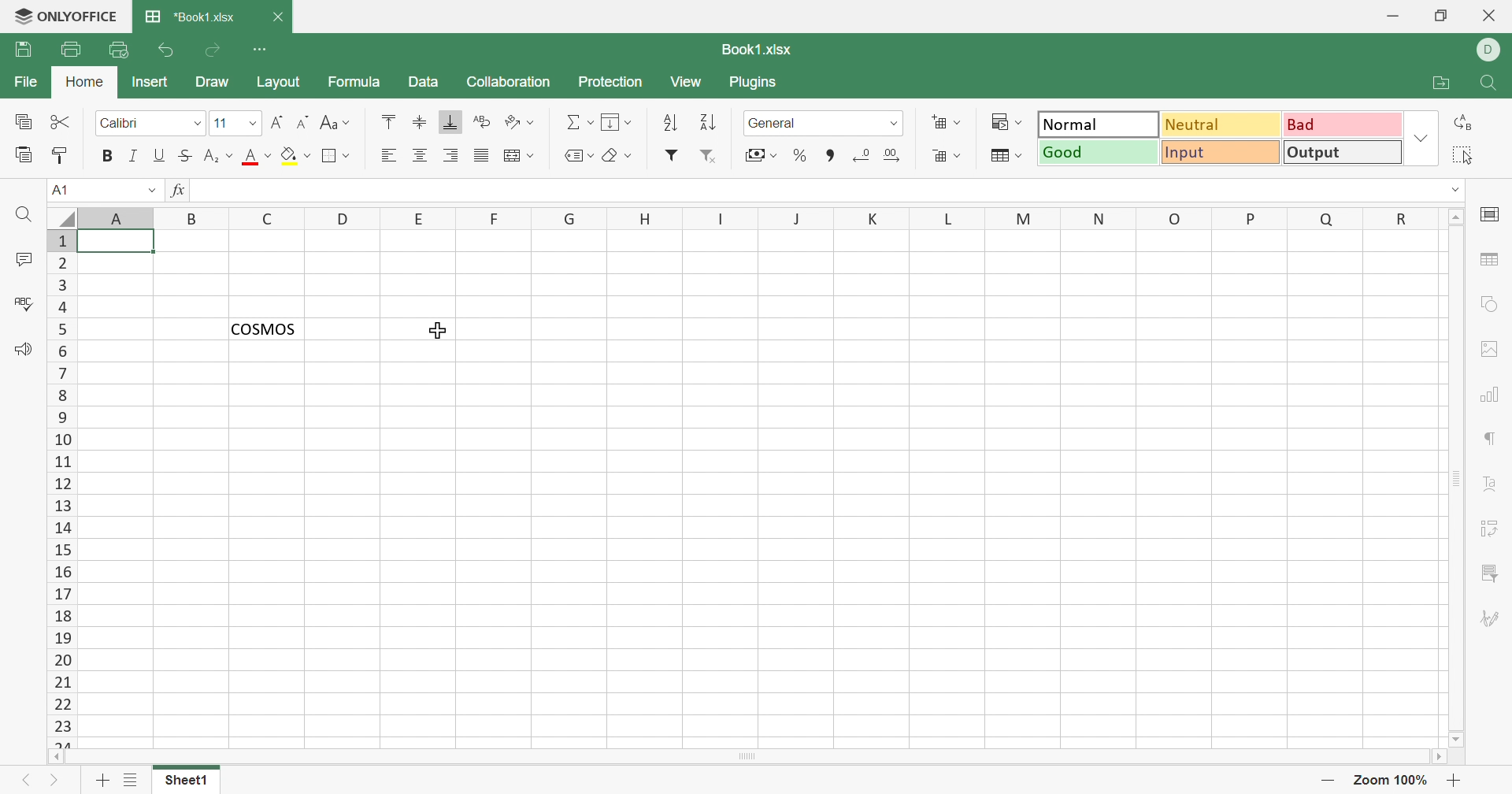 This screenshot has height=794, width=1512. I want to click on Restore down, so click(1445, 17).